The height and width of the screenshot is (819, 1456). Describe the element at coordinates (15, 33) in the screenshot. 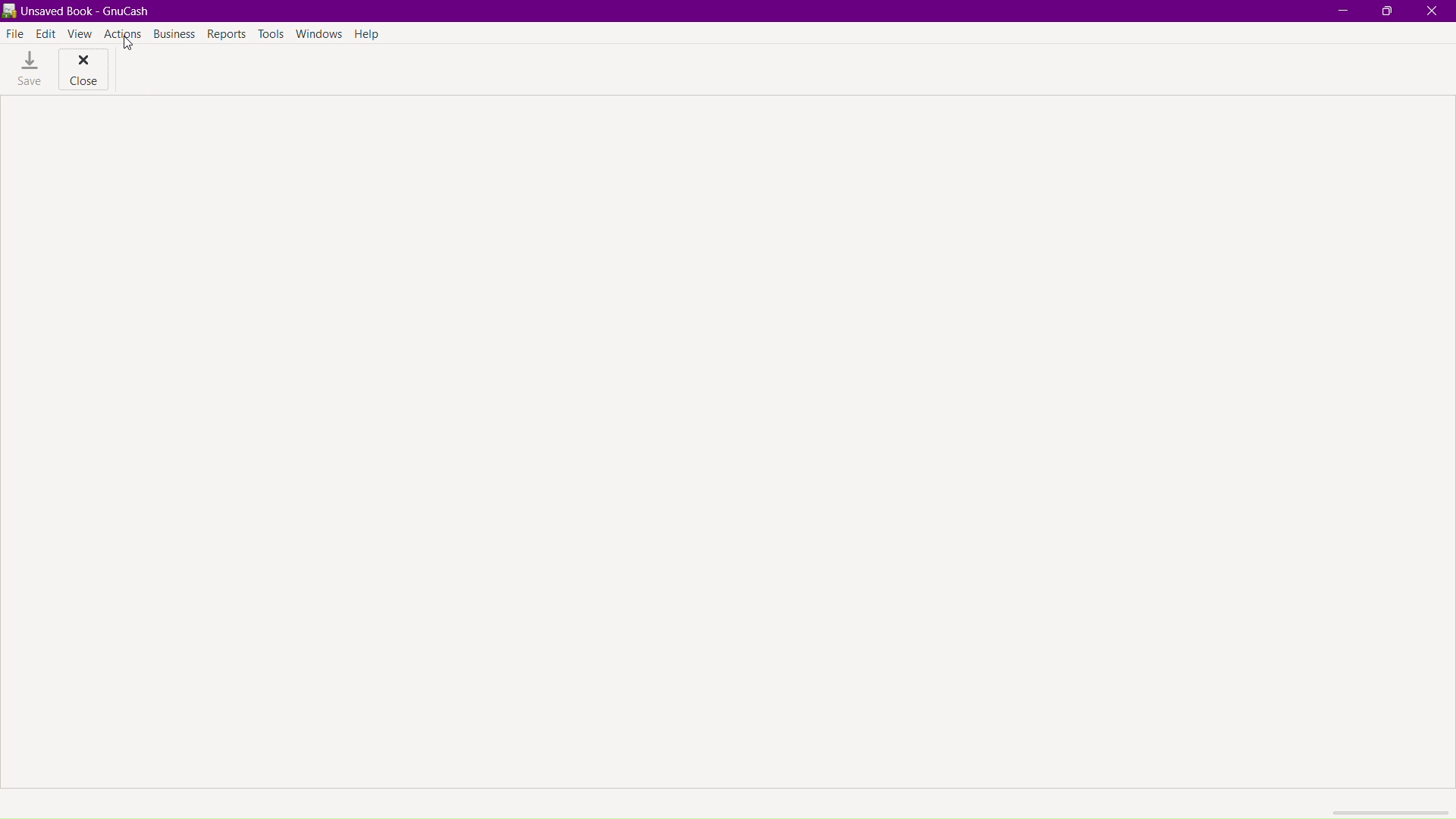

I see `File` at that location.